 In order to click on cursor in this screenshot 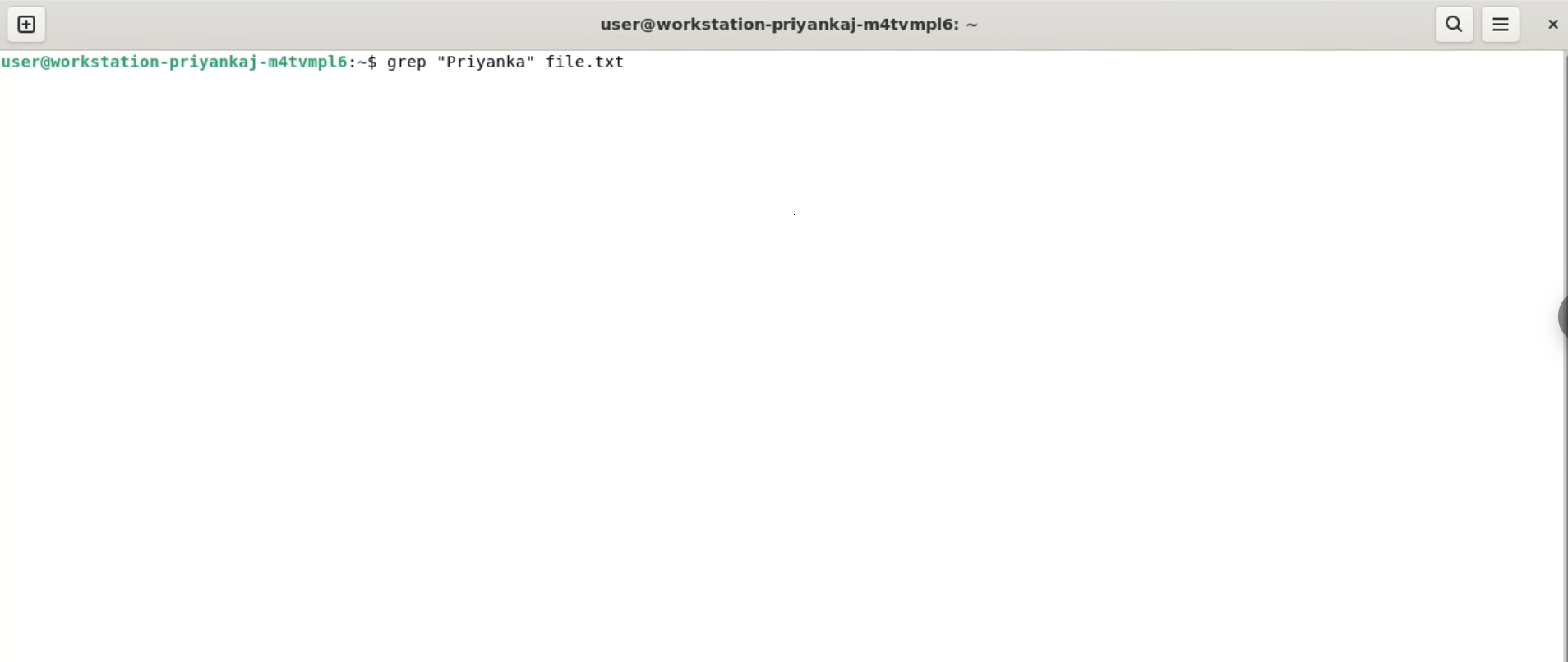, I will do `click(653, 66)`.